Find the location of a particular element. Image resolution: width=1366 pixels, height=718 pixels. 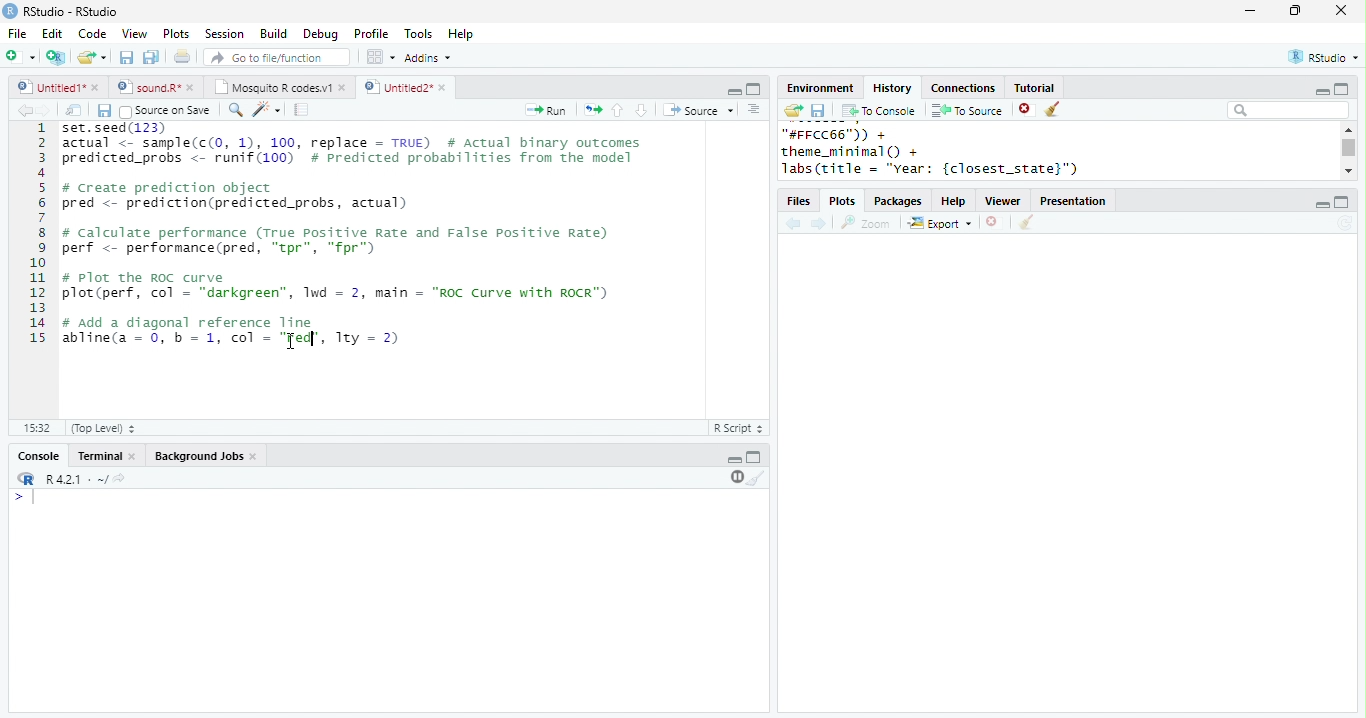

close is located at coordinates (1342, 10).